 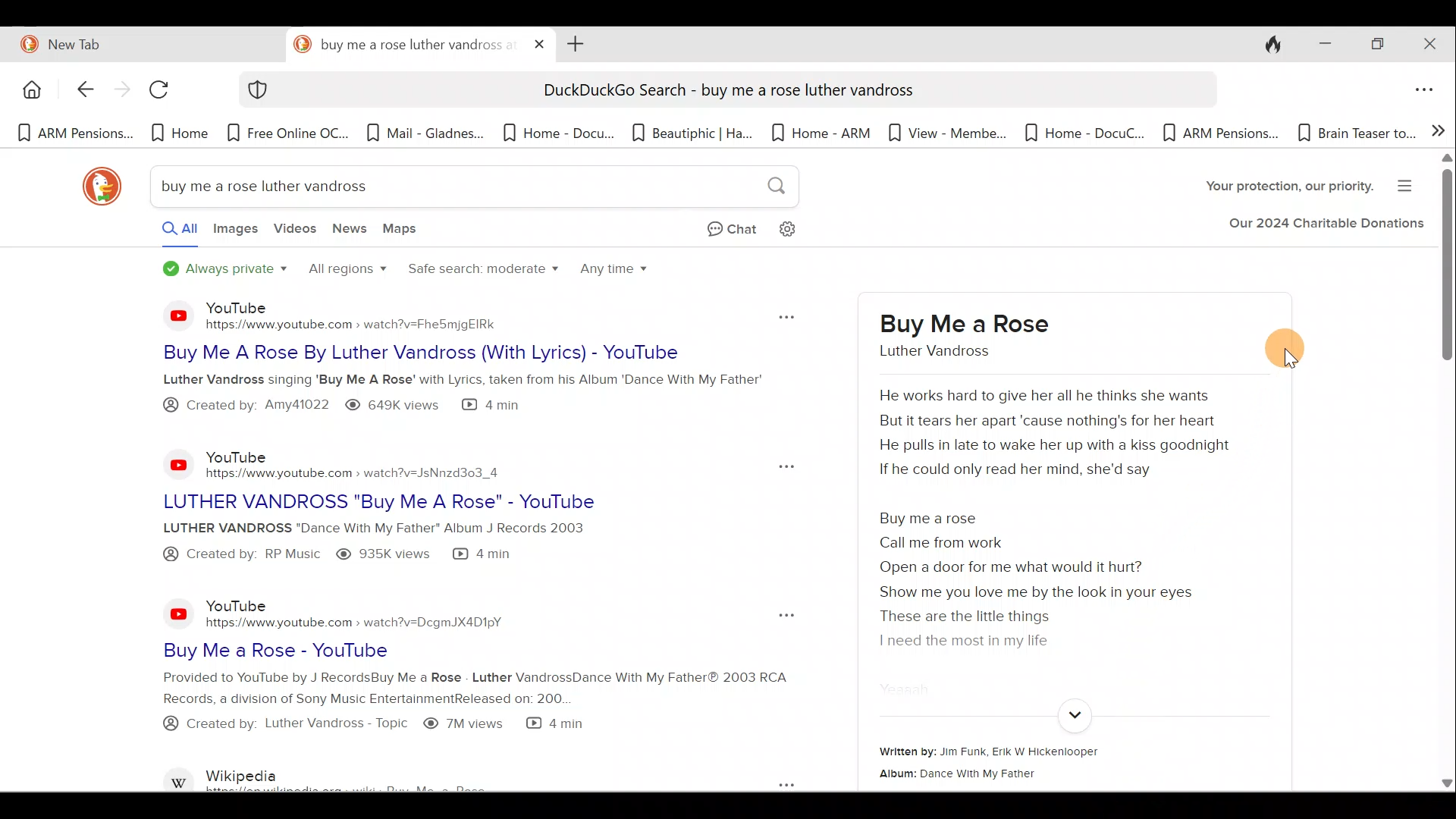 I want to click on YouTube
https://www.youtube.com > watch?v=DcgmJX4D1pY, so click(x=362, y=613).